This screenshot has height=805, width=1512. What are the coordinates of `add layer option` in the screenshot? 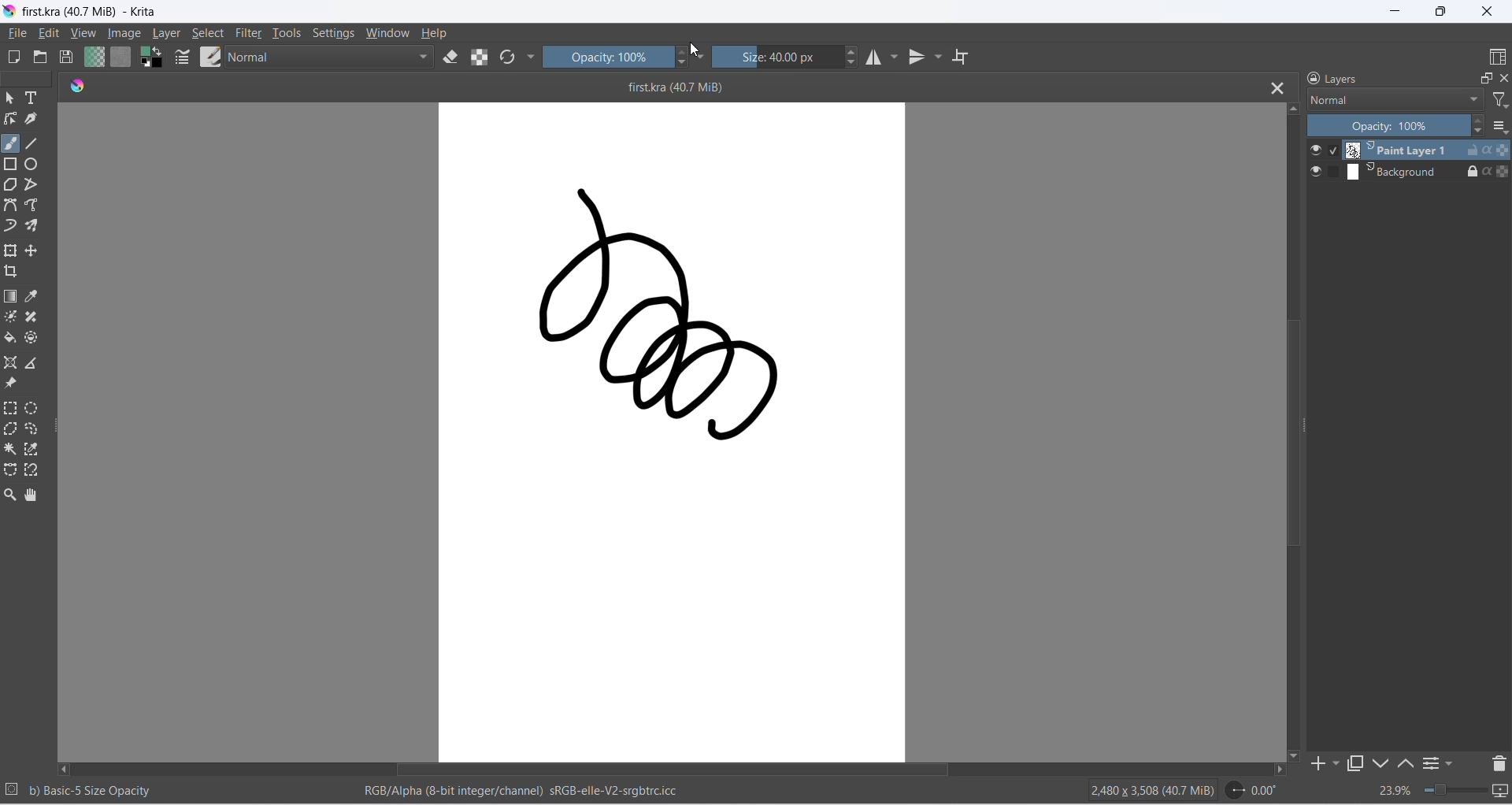 It's located at (1336, 763).